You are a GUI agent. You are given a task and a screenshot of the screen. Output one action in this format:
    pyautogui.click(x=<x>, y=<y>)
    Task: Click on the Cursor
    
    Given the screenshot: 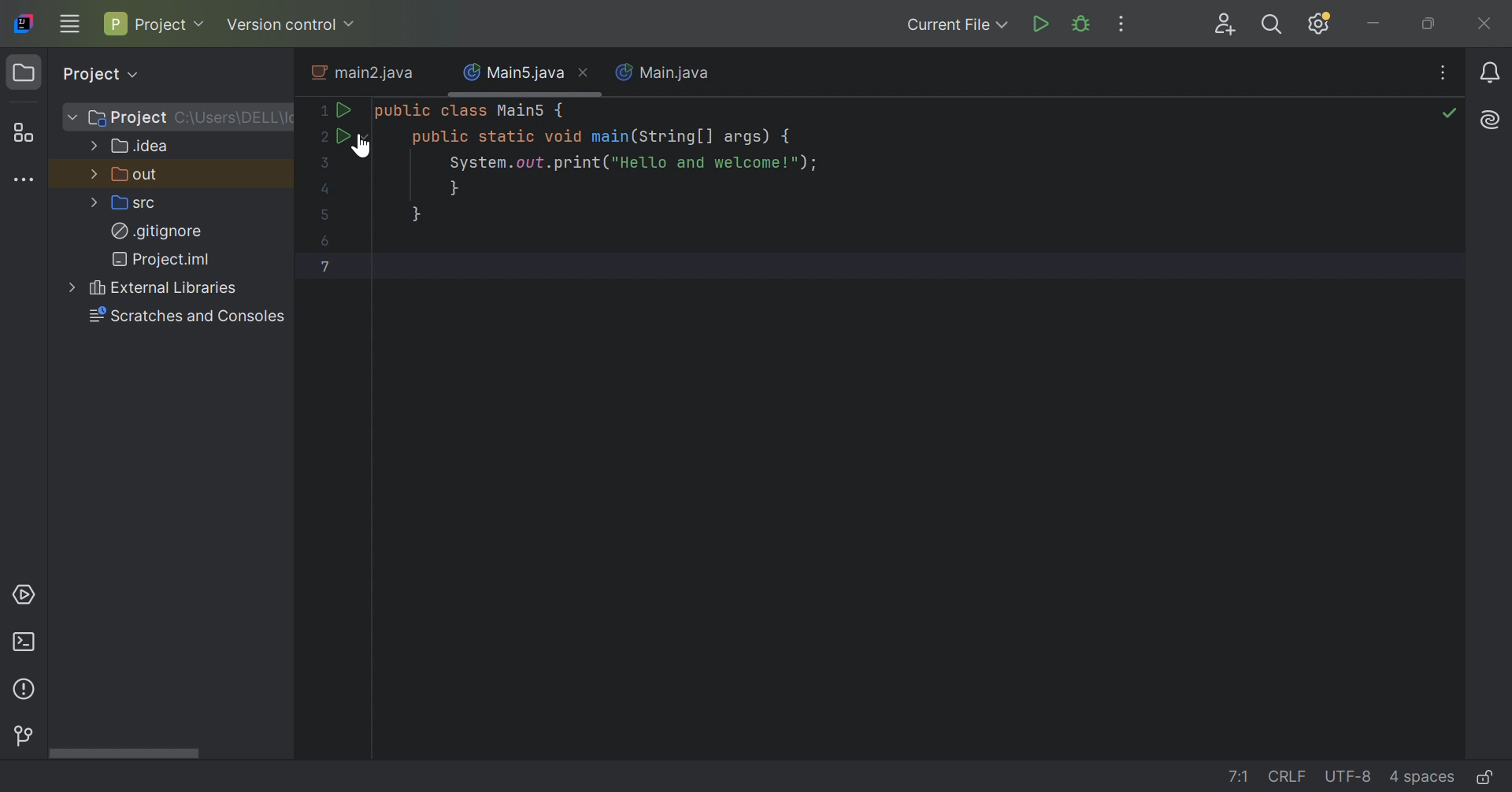 What is the action you would take?
    pyautogui.click(x=365, y=145)
    